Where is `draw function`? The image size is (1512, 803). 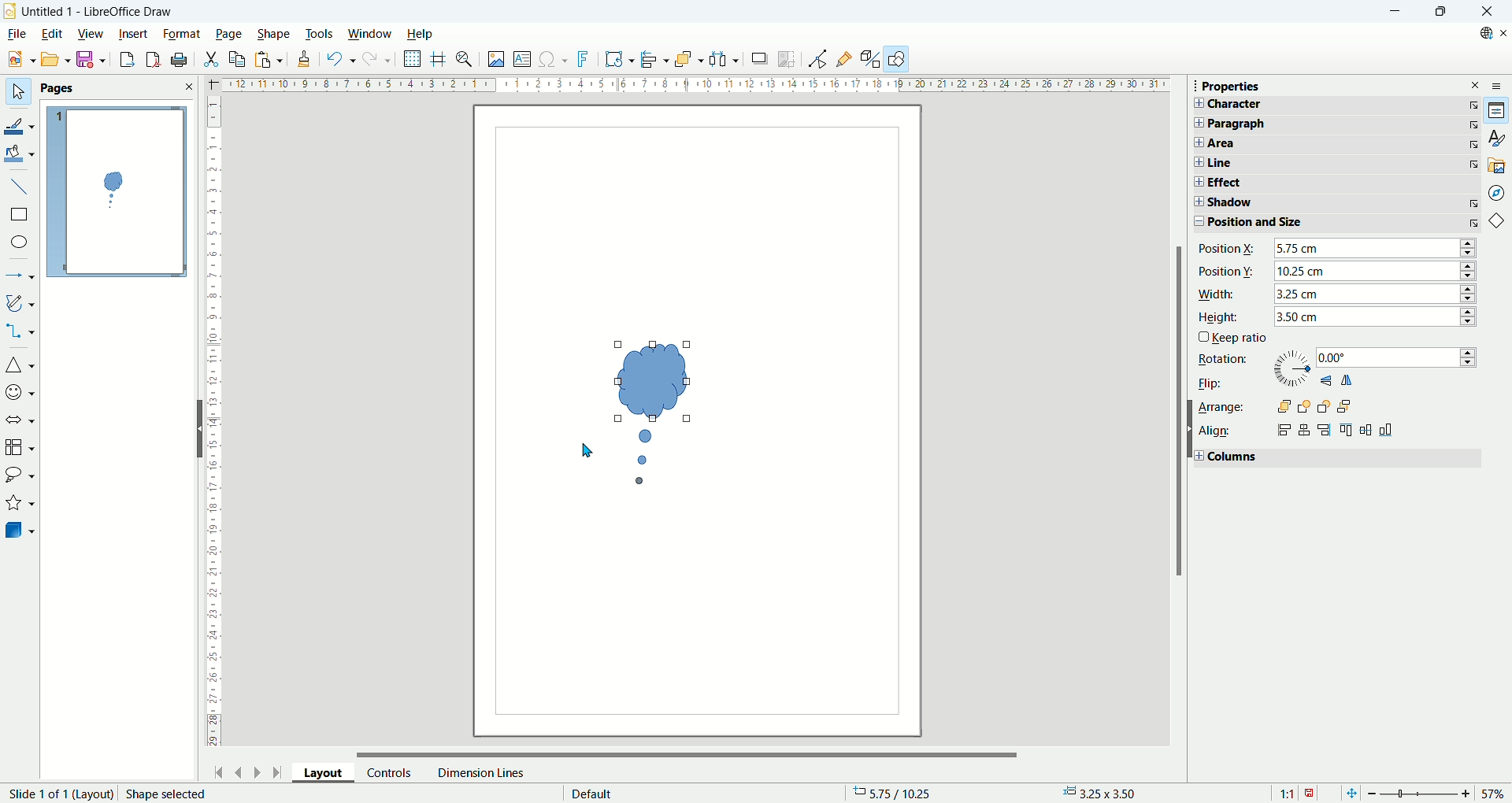
draw function is located at coordinates (899, 59).